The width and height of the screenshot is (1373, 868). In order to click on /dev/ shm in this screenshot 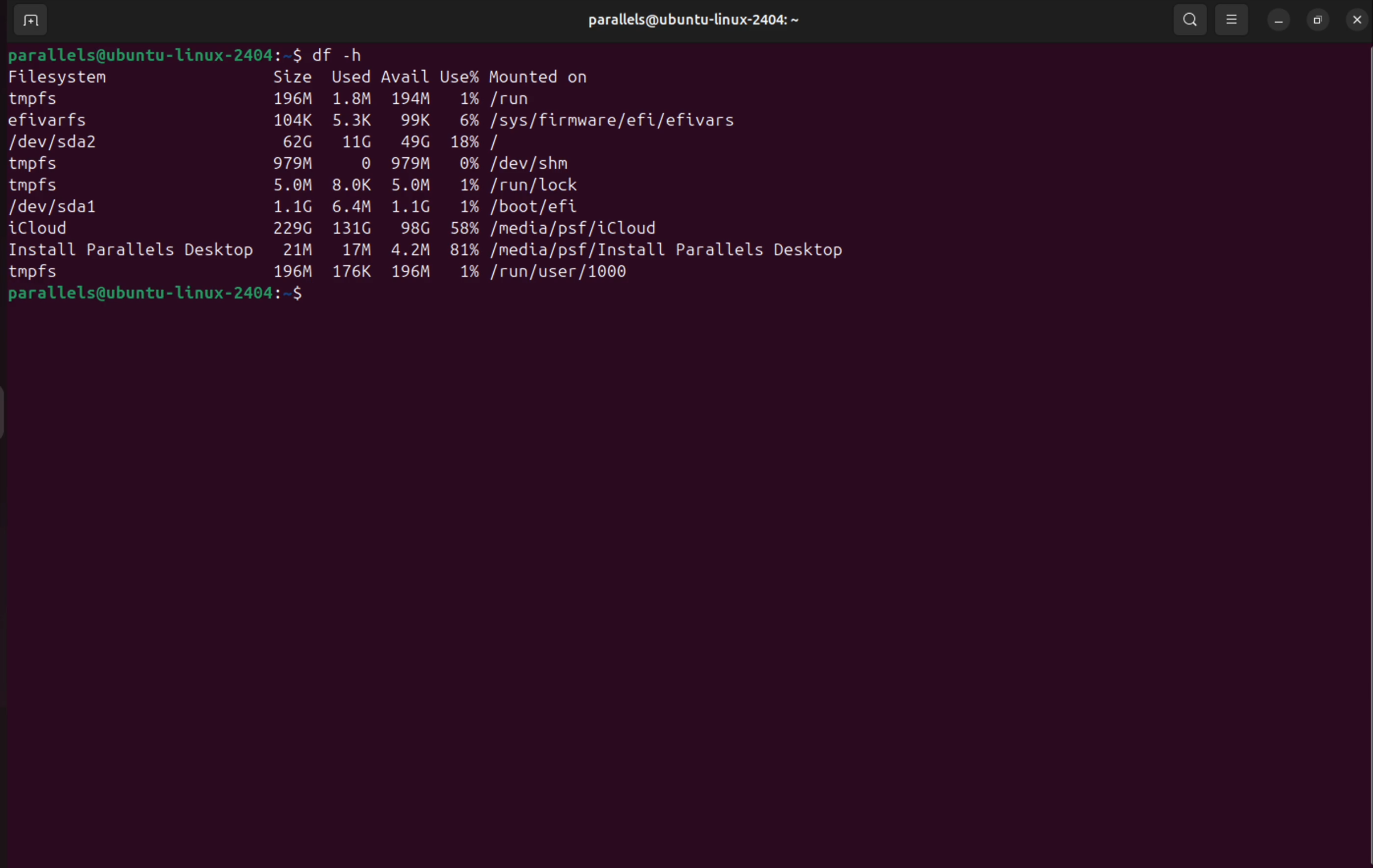, I will do `click(545, 164)`.